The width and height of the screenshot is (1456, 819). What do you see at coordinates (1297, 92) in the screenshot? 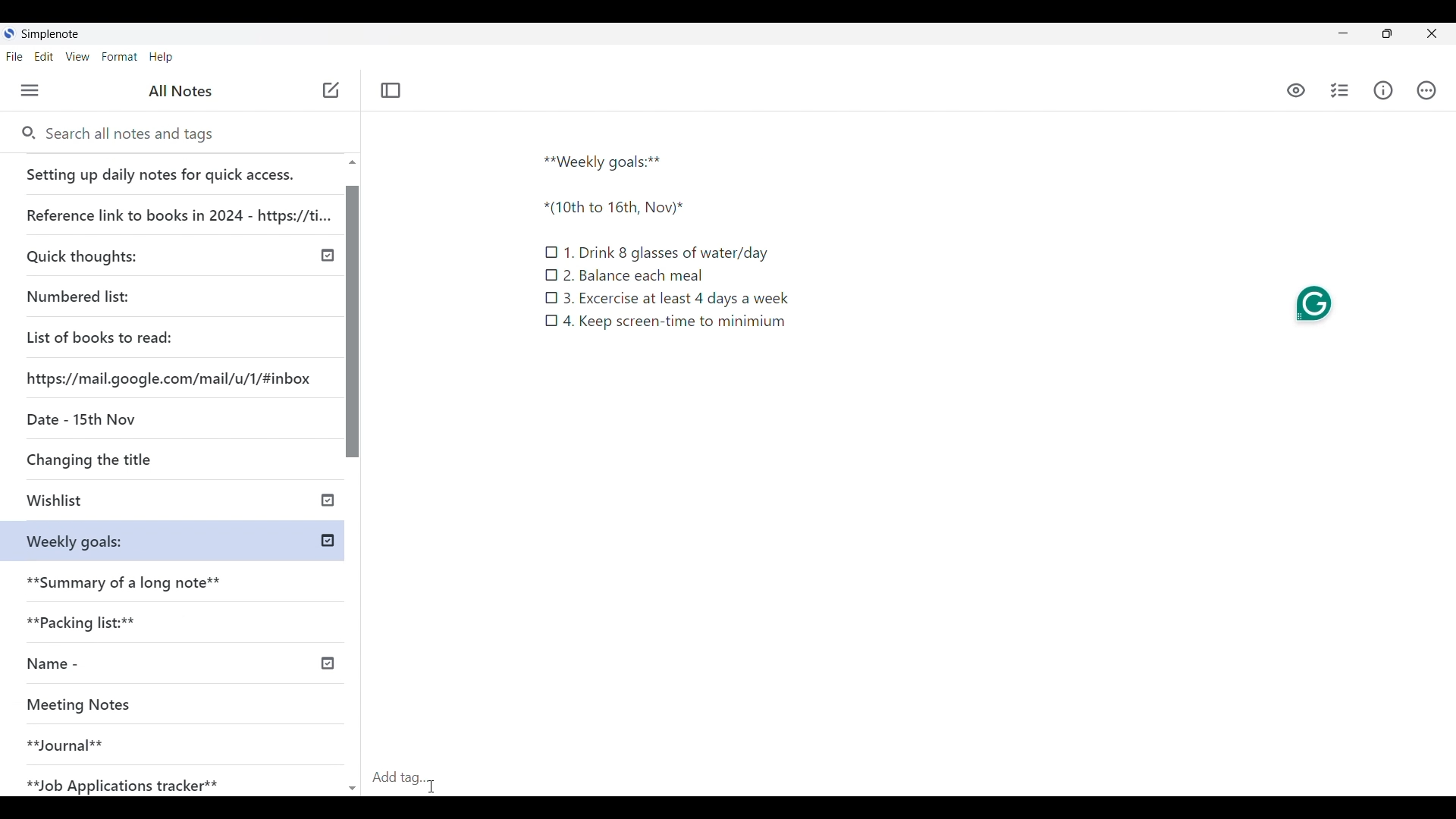
I see `Preview` at bounding box center [1297, 92].